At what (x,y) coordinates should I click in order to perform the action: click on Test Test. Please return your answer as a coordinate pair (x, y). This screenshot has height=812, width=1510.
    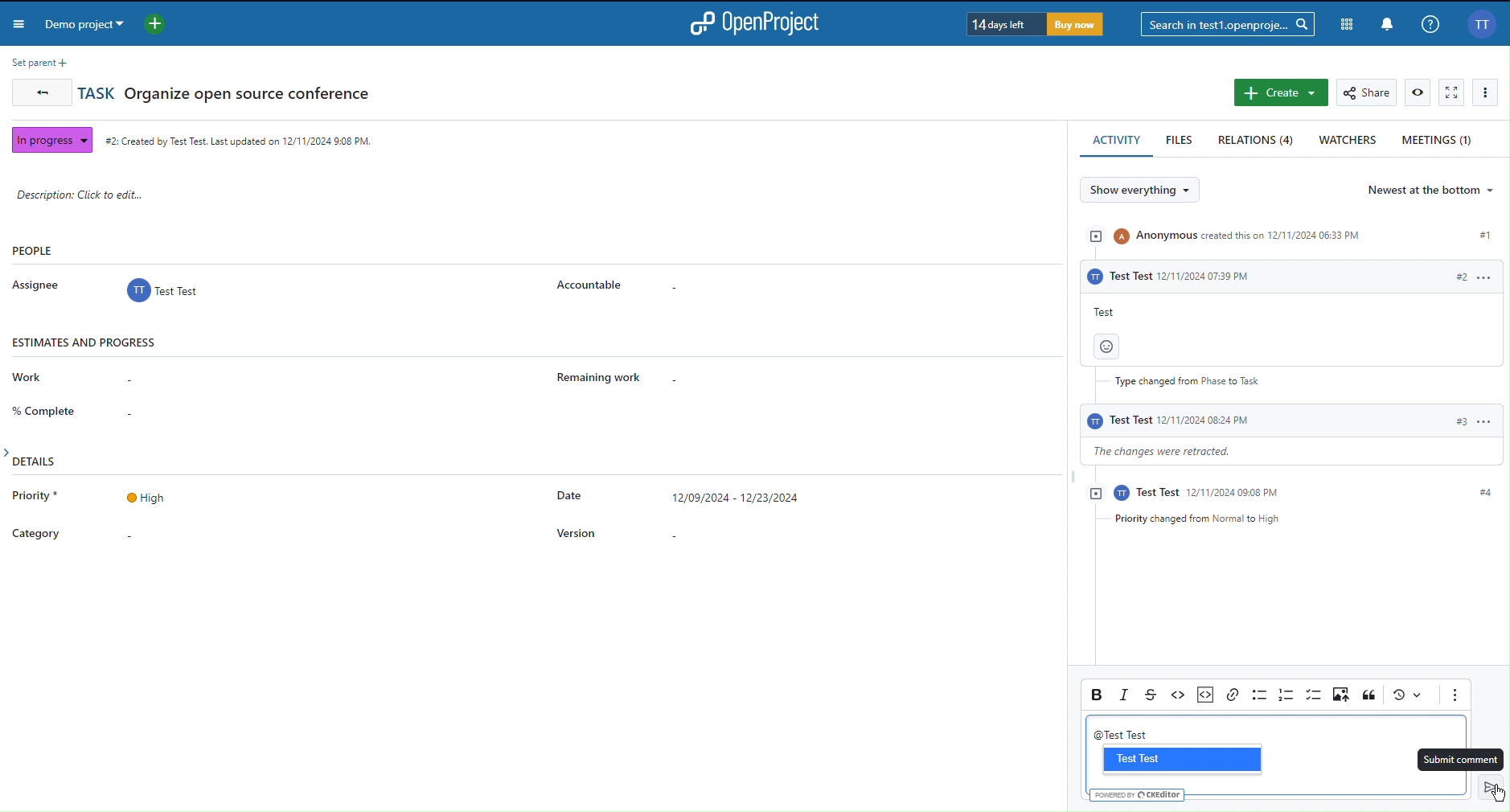
    Looking at the image, I should click on (1127, 734).